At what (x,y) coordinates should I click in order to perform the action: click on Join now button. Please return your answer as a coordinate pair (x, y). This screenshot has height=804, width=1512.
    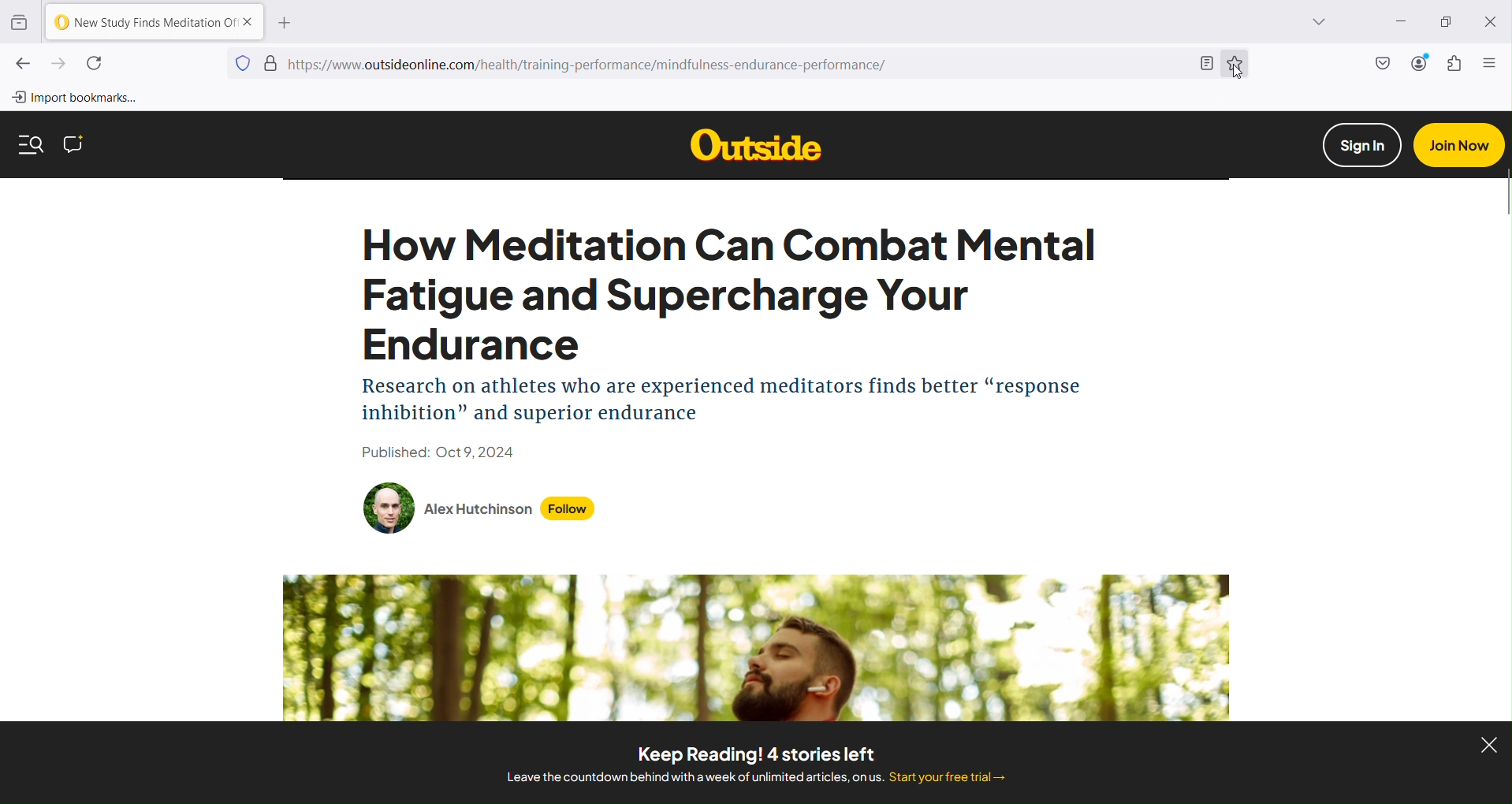
    Looking at the image, I should click on (1458, 145).